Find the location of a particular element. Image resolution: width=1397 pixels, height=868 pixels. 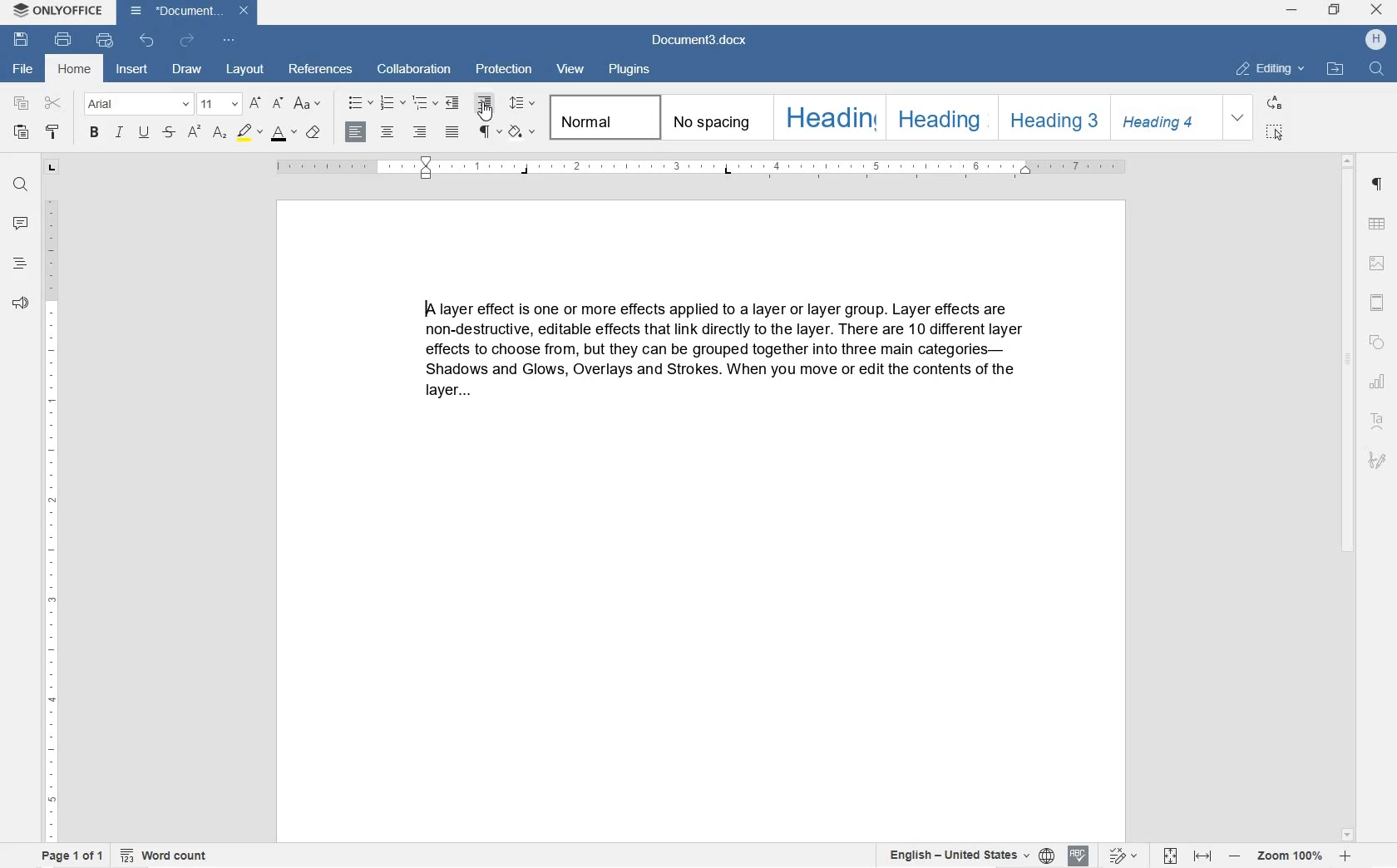

Document3.docx is located at coordinates (701, 40).